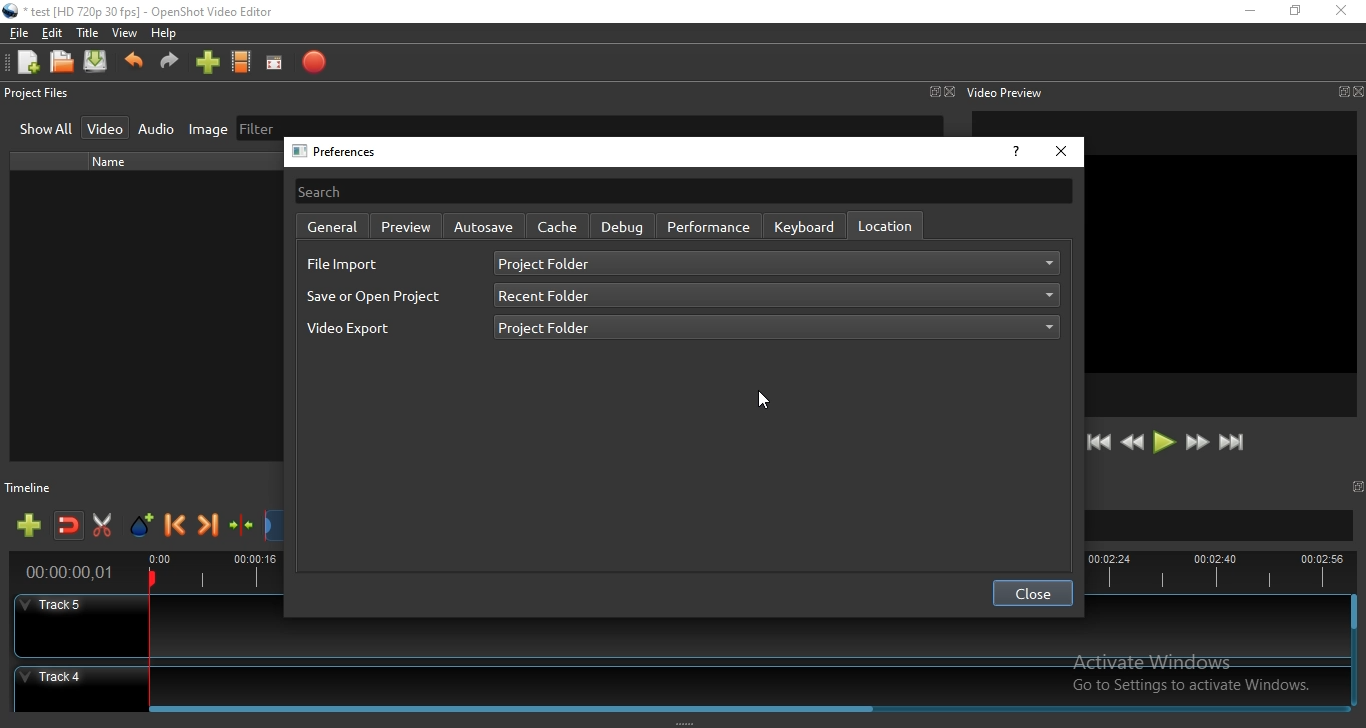 The image size is (1366, 728). Describe the element at coordinates (168, 35) in the screenshot. I see `Help` at that location.